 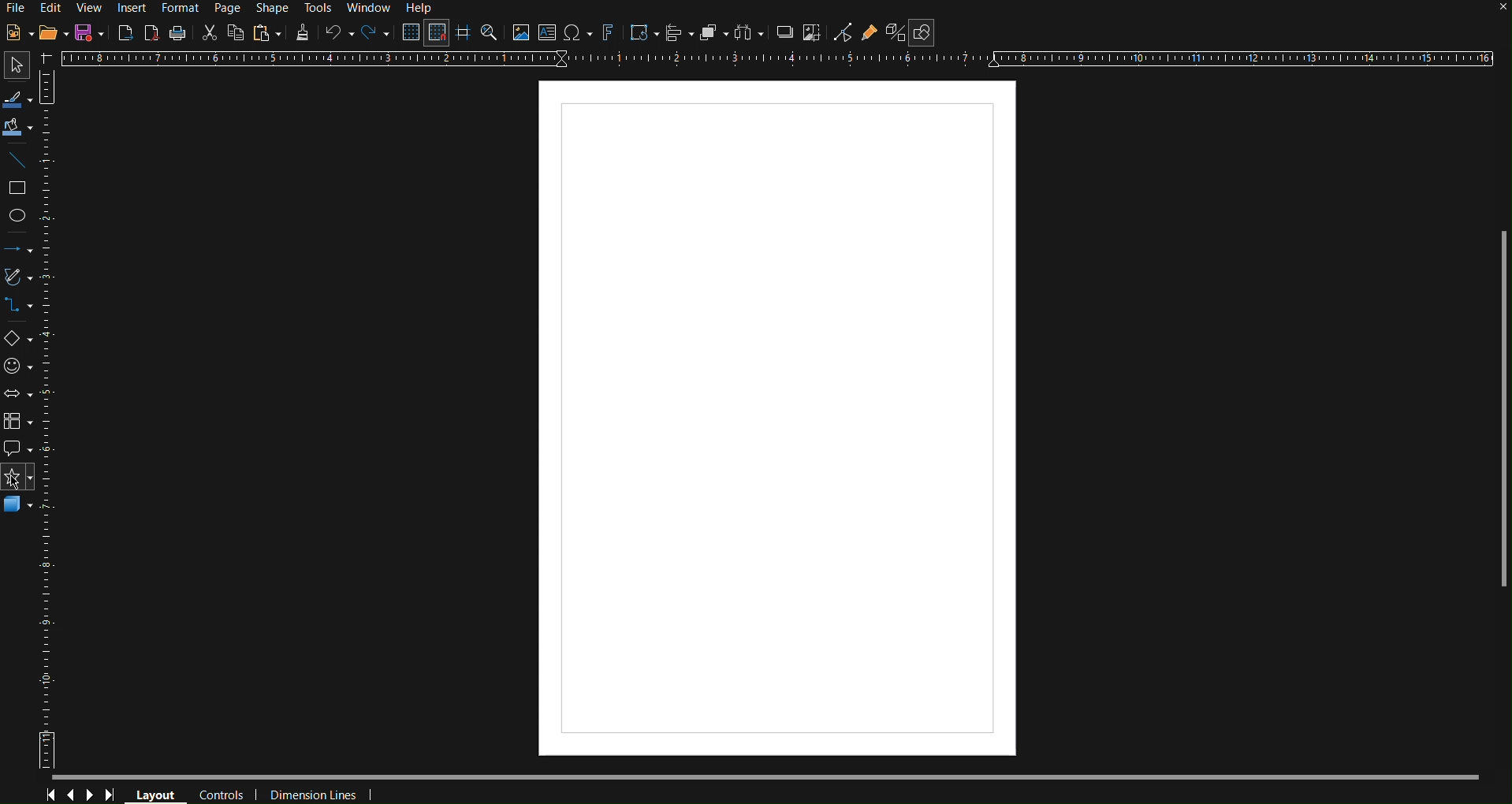 What do you see at coordinates (491, 34) in the screenshot?
I see `Zoom and Pan` at bounding box center [491, 34].